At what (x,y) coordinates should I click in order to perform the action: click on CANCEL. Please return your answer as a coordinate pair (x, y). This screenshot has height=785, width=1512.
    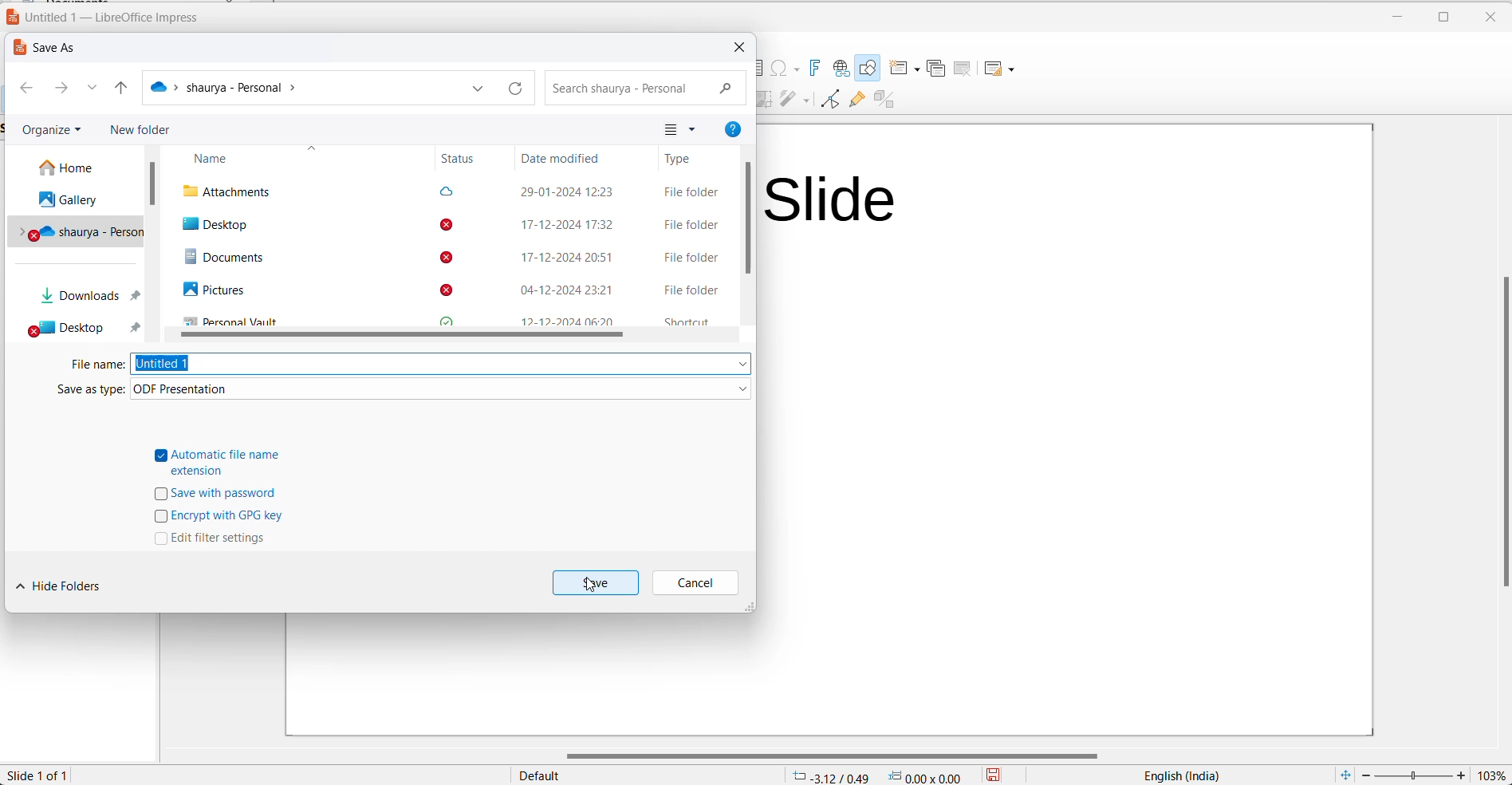
    Looking at the image, I should click on (699, 580).